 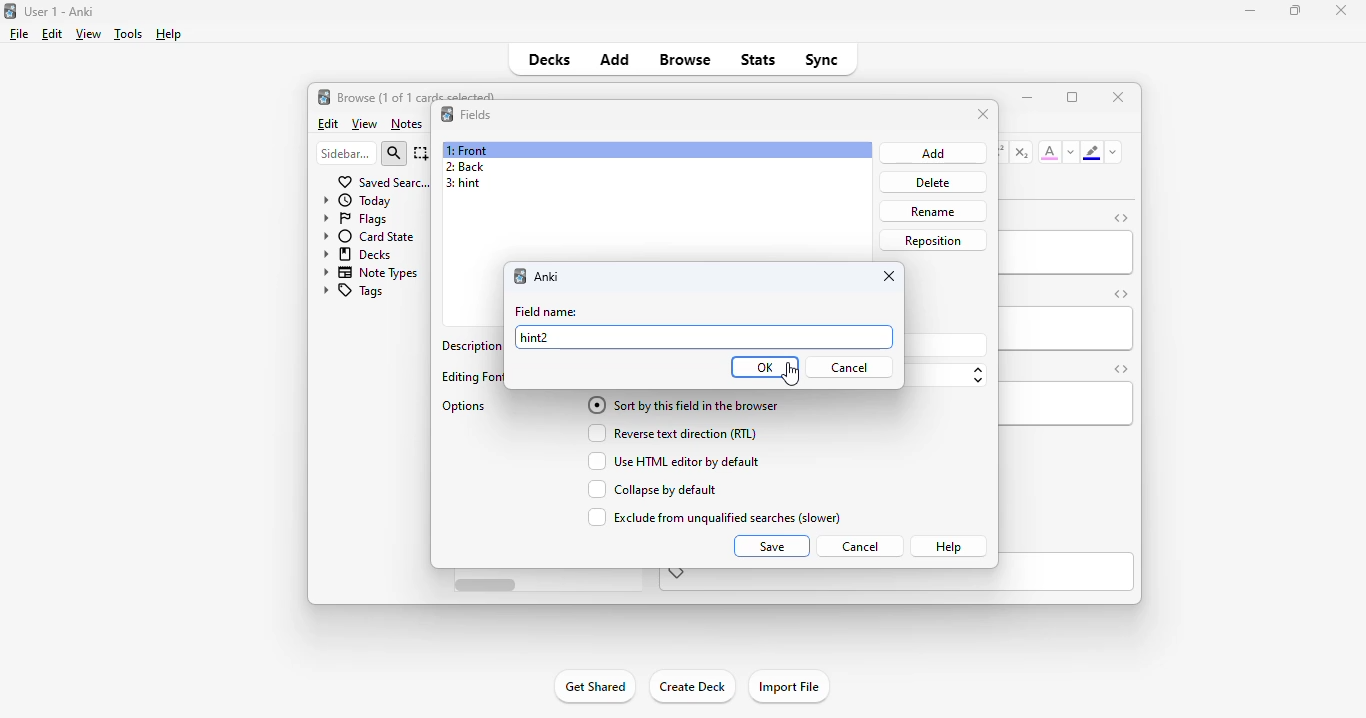 What do you see at coordinates (520, 276) in the screenshot?
I see `logo` at bounding box center [520, 276].